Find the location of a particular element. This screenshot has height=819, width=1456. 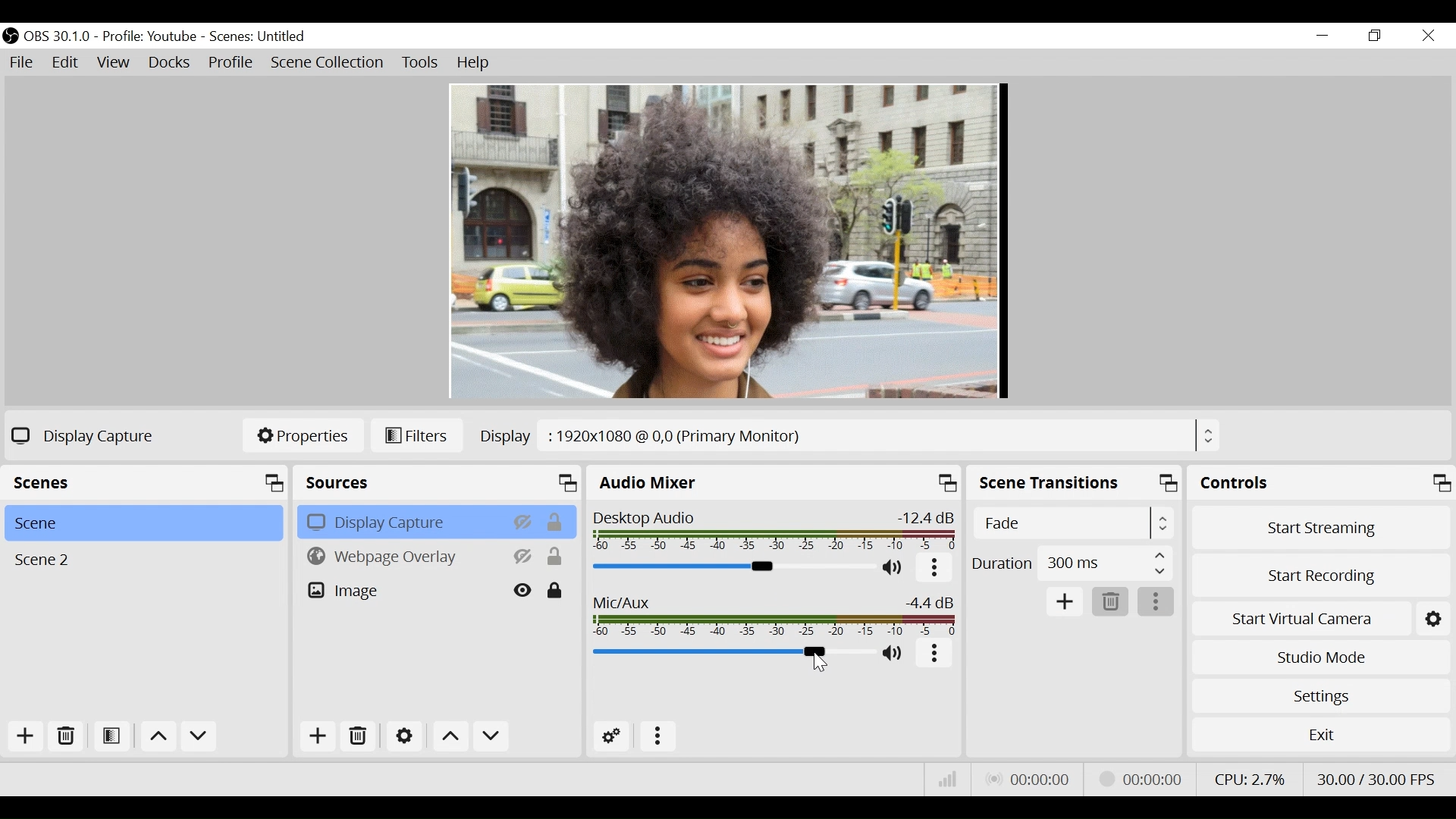

more options is located at coordinates (658, 735).